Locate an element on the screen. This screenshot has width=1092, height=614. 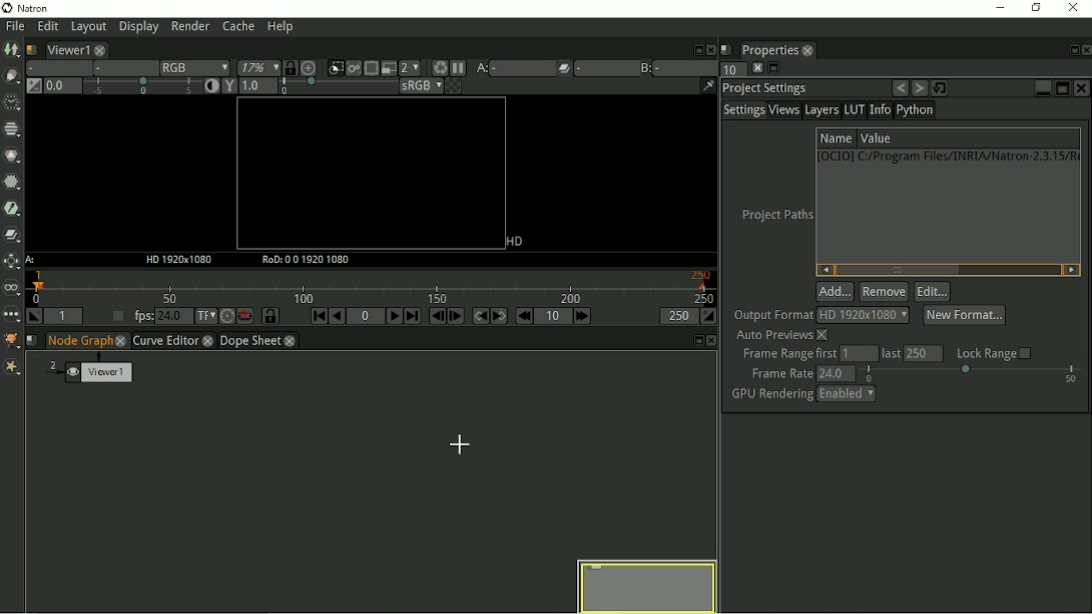
Project settings is located at coordinates (766, 87).